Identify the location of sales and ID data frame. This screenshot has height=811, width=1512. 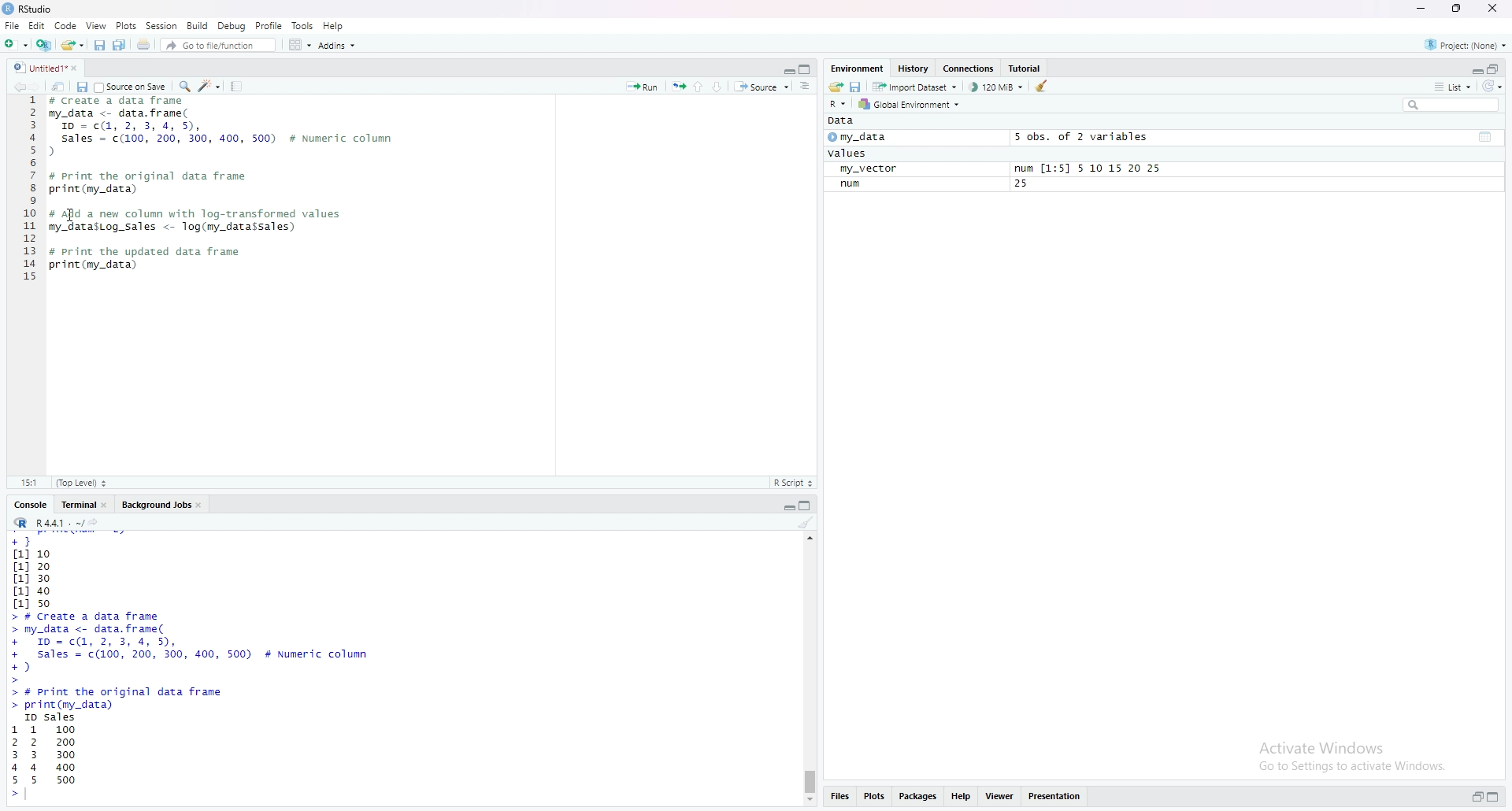
(224, 135).